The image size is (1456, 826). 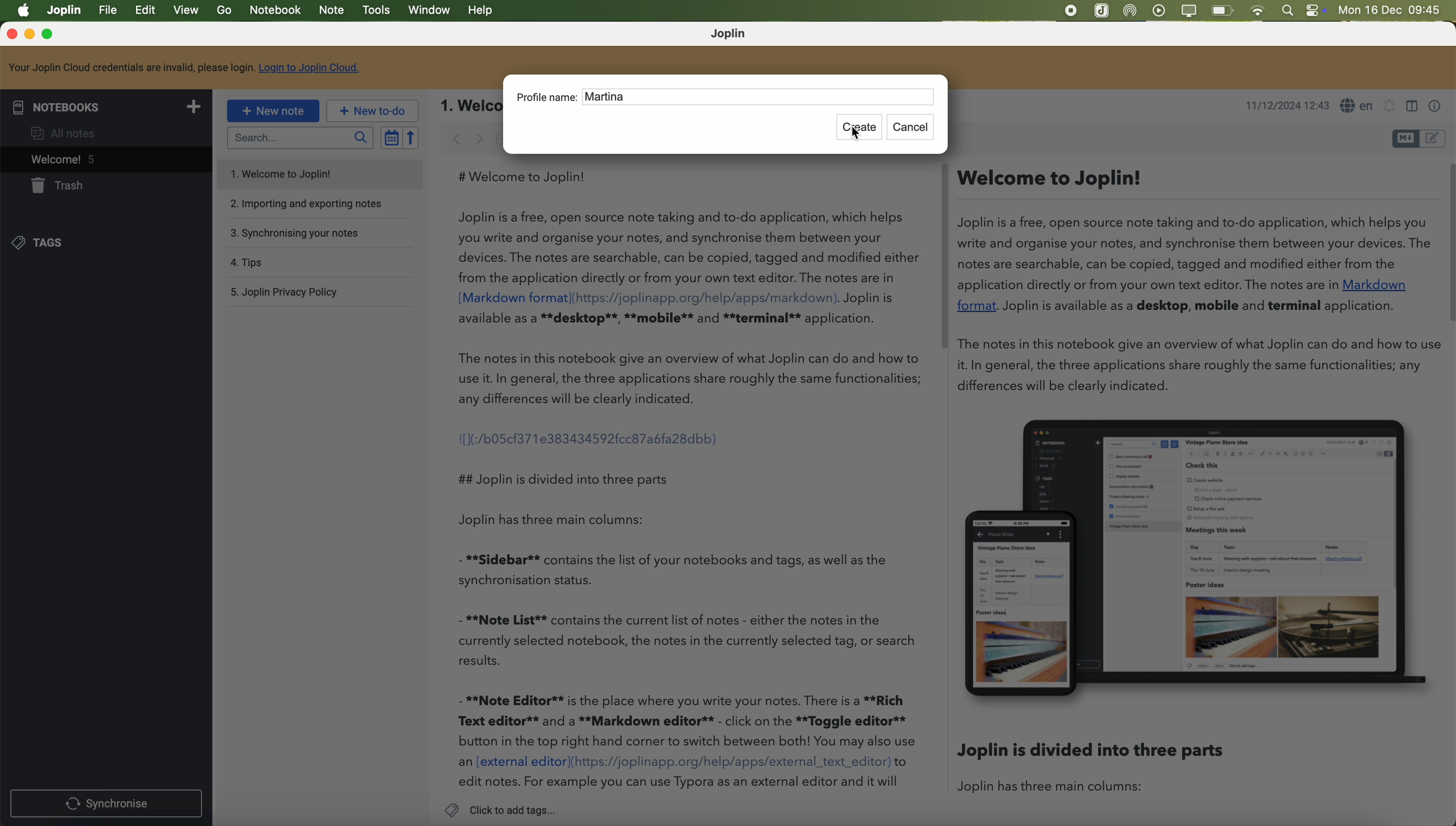 I want to click on wifi, so click(x=1260, y=11).